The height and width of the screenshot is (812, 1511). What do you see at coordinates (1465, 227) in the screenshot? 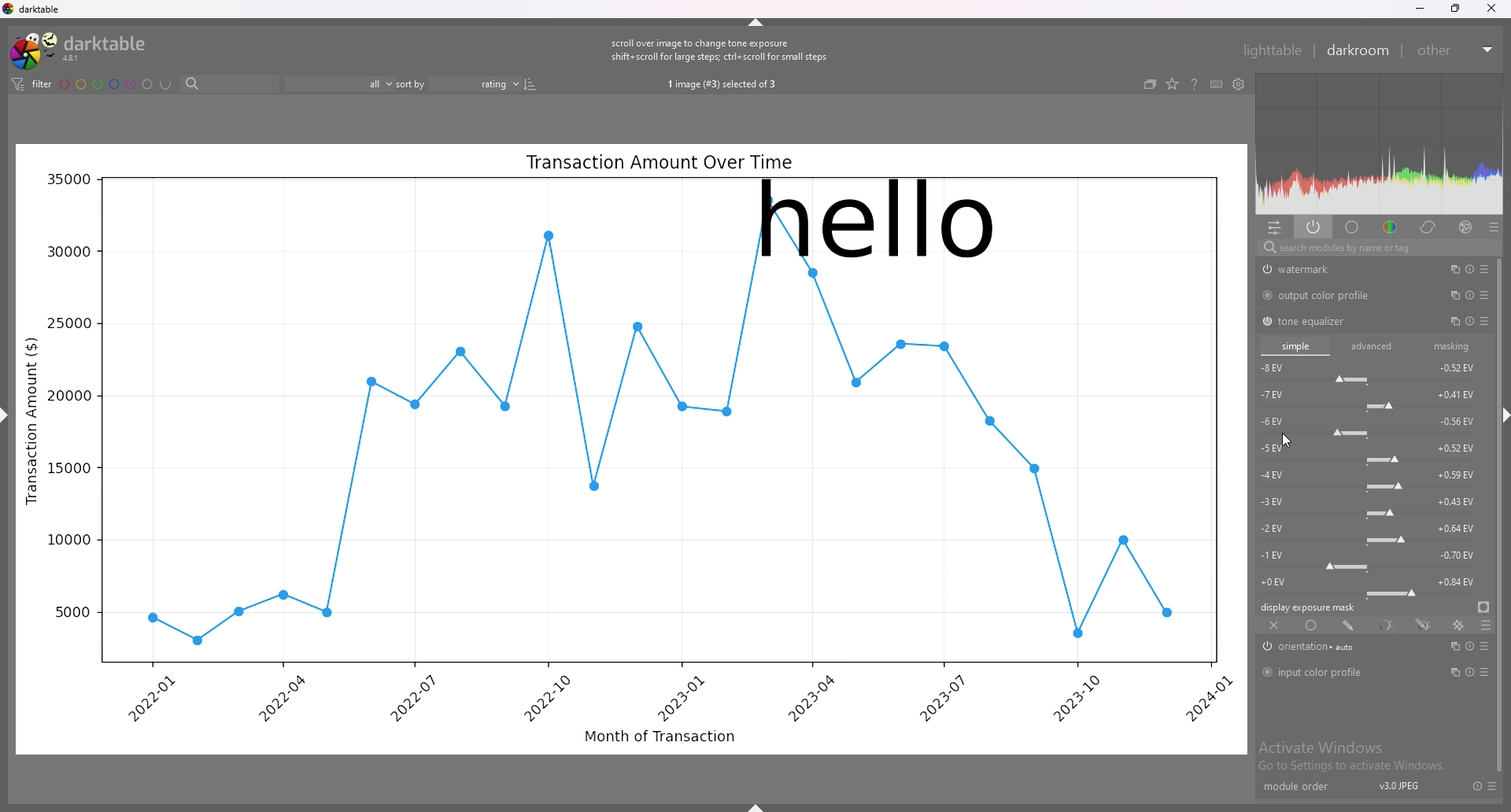
I see `effect` at bounding box center [1465, 227].